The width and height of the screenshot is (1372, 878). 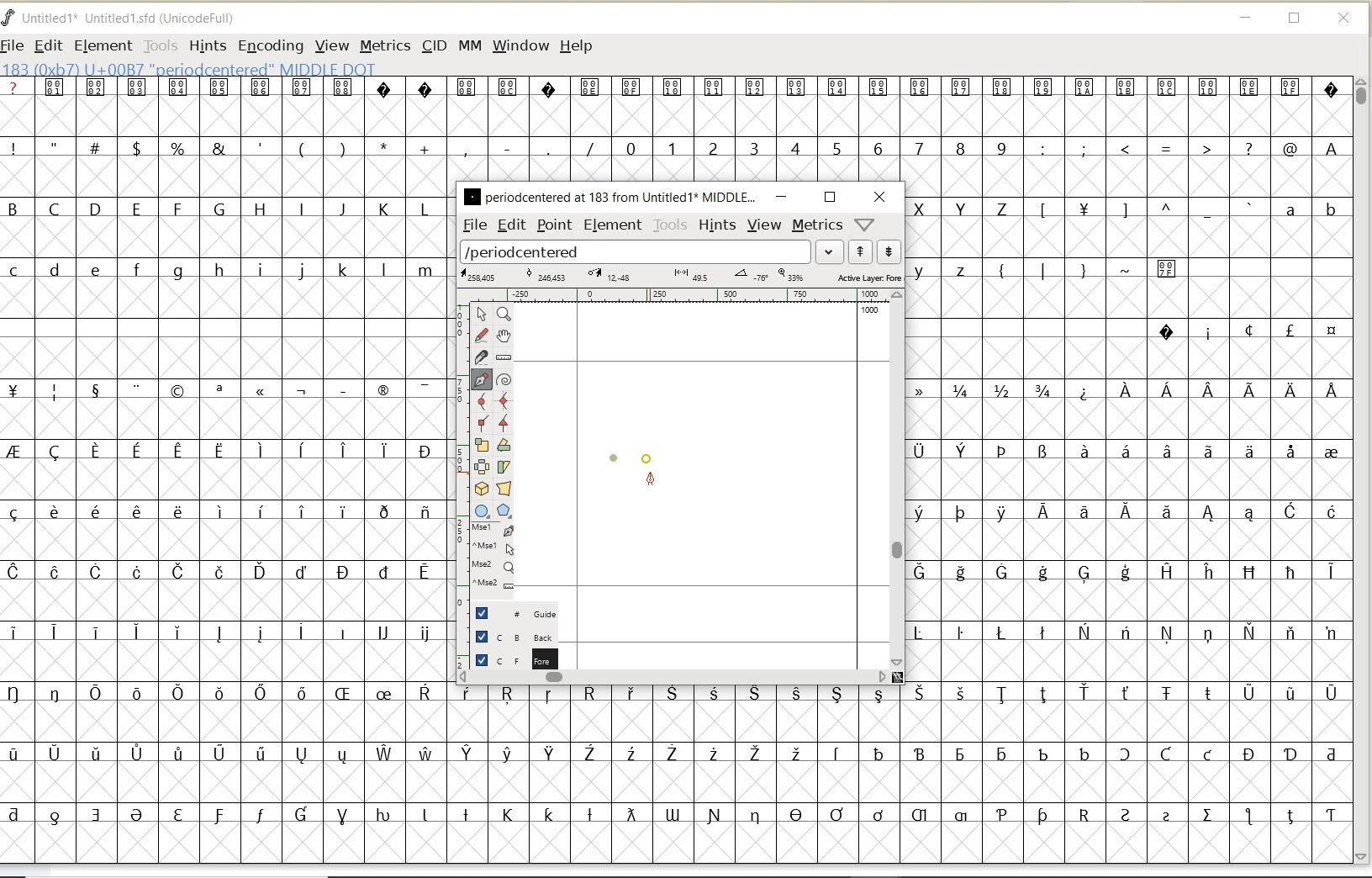 I want to click on special characters, so click(x=673, y=98).